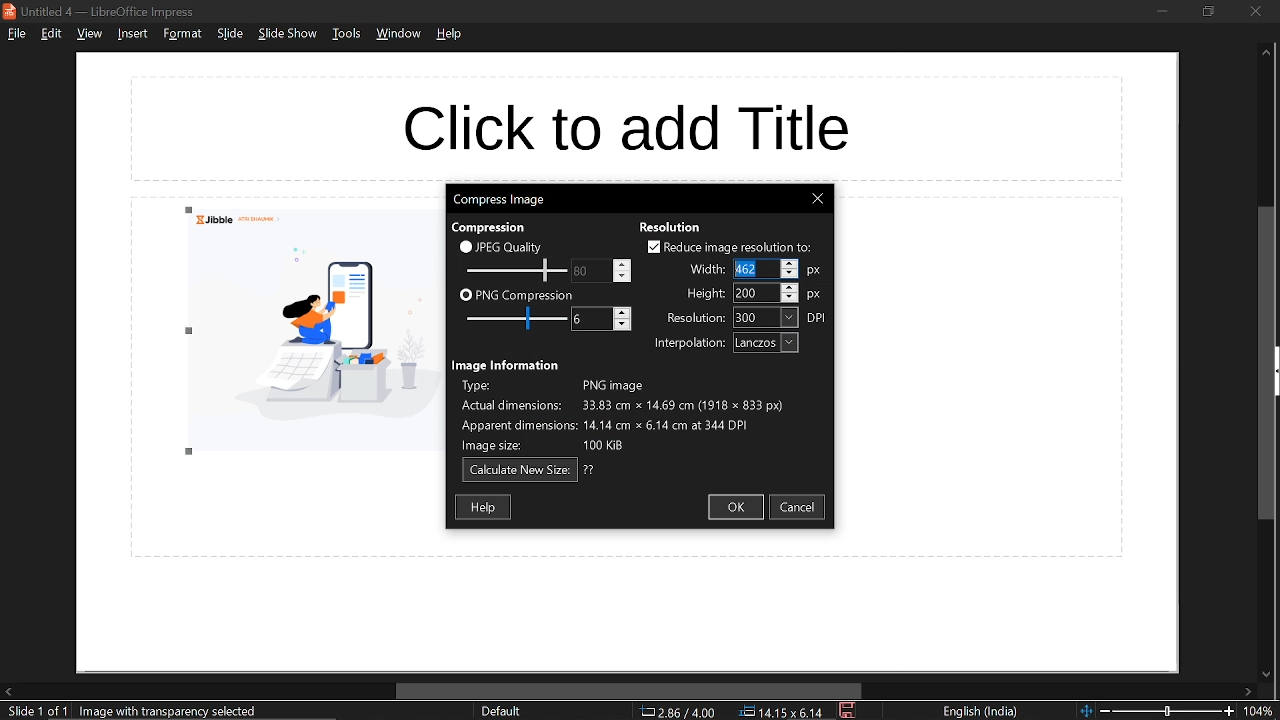 Image resolution: width=1280 pixels, height=720 pixels. What do you see at coordinates (516, 319) in the screenshot?
I see `JPEG quality scale` at bounding box center [516, 319].